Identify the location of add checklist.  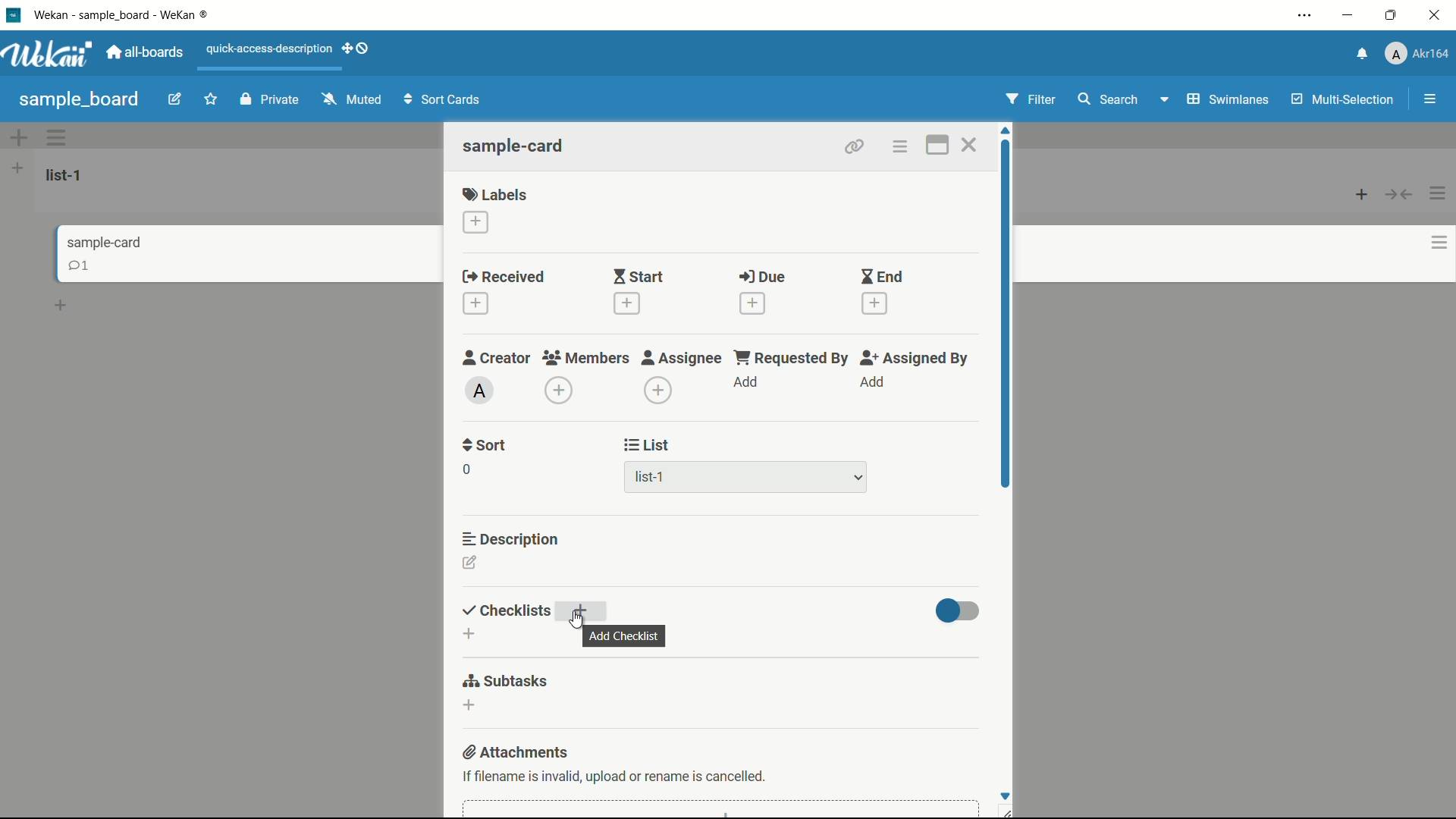
(472, 633).